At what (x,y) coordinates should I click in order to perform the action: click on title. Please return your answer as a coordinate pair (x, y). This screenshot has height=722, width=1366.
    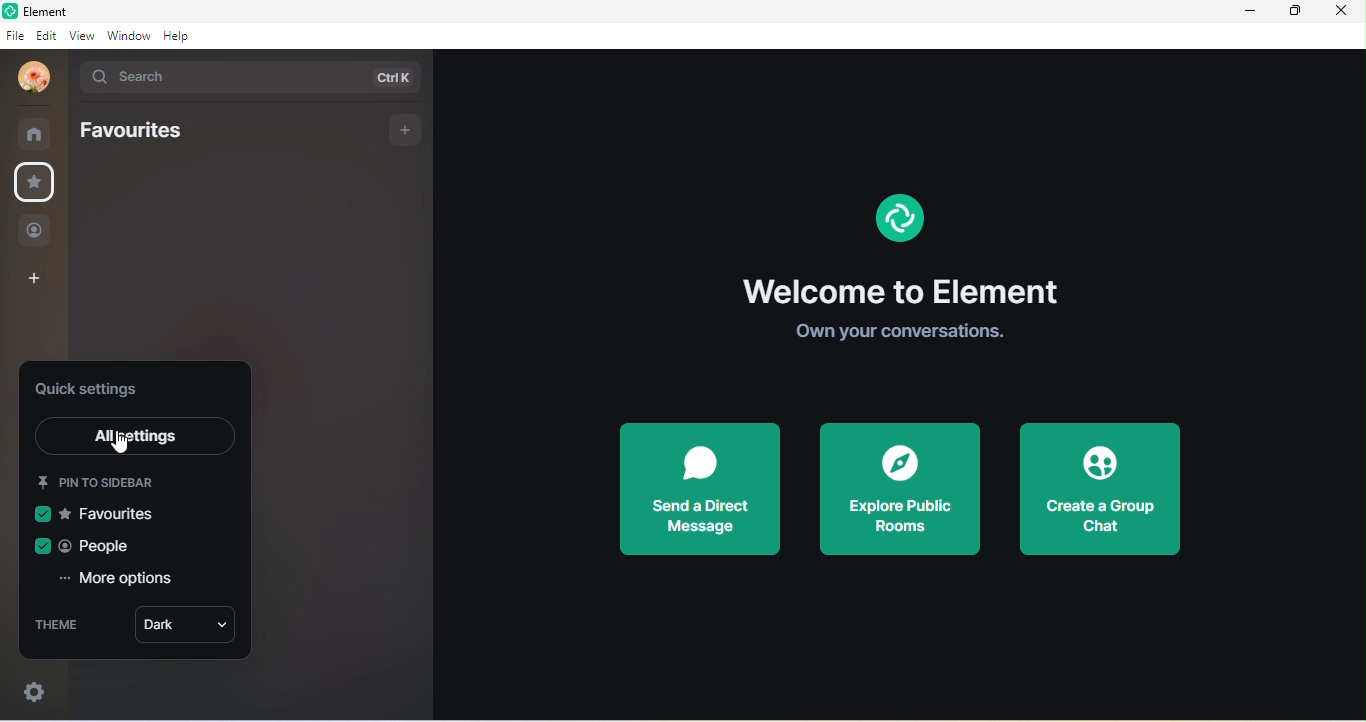
    Looking at the image, I should click on (48, 11).